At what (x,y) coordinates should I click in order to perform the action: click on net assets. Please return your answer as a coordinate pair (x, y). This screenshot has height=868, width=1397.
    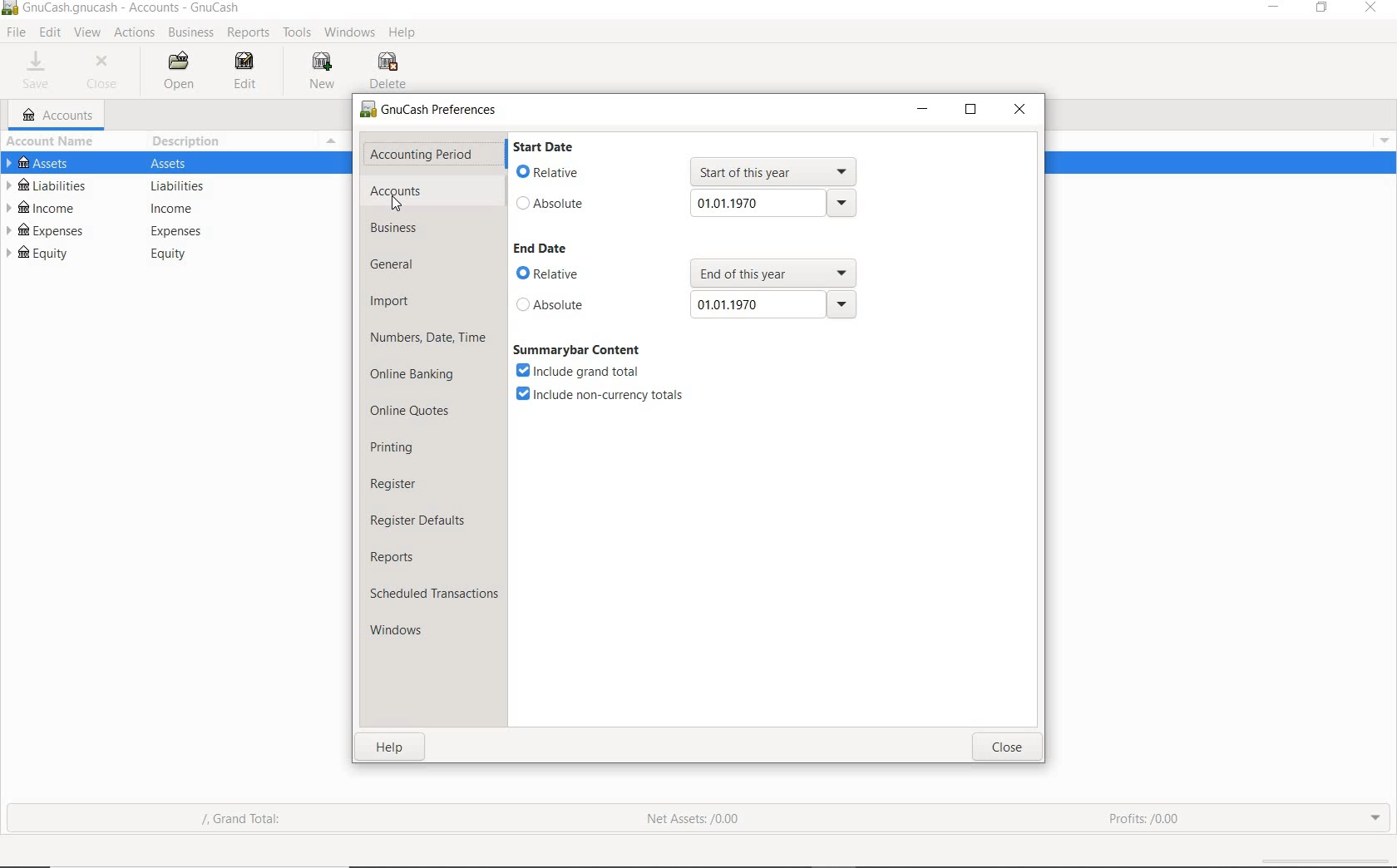
    Looking at the image, I should click on (690, 818).